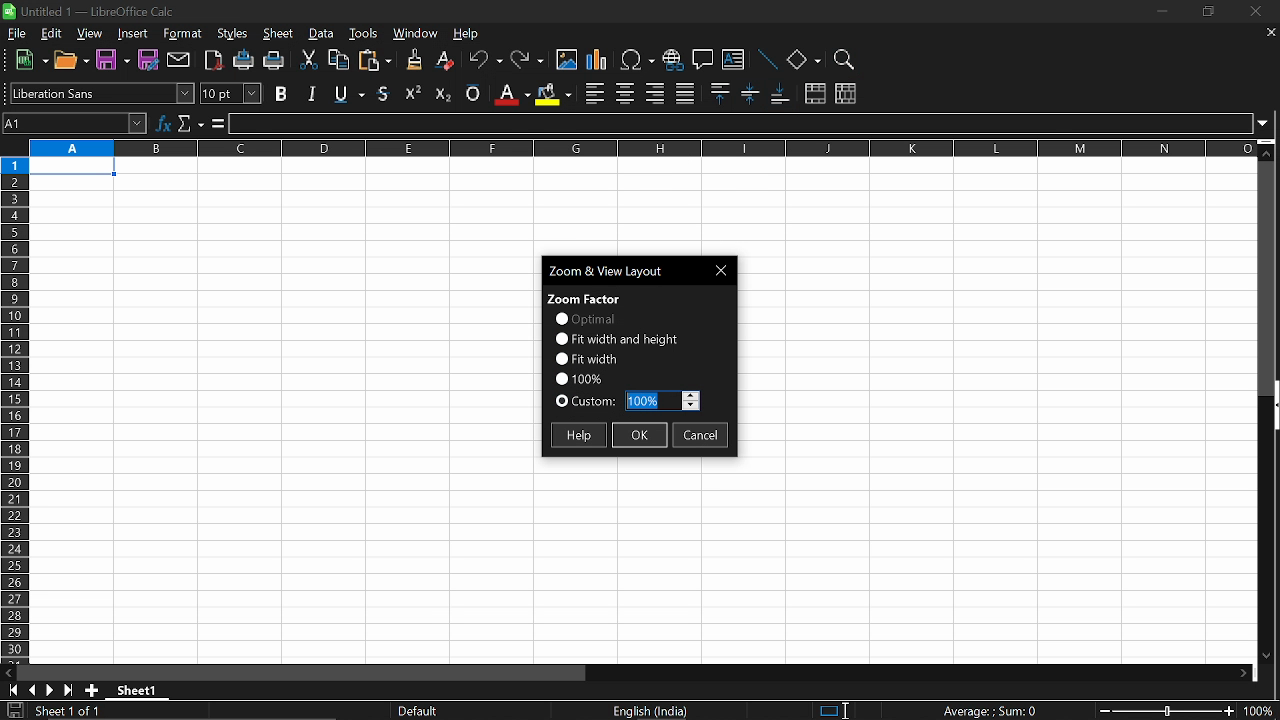  What do you see at coordinates (625, 94) in the screenshot?
I see `align center` at bounding box center [625, 94].